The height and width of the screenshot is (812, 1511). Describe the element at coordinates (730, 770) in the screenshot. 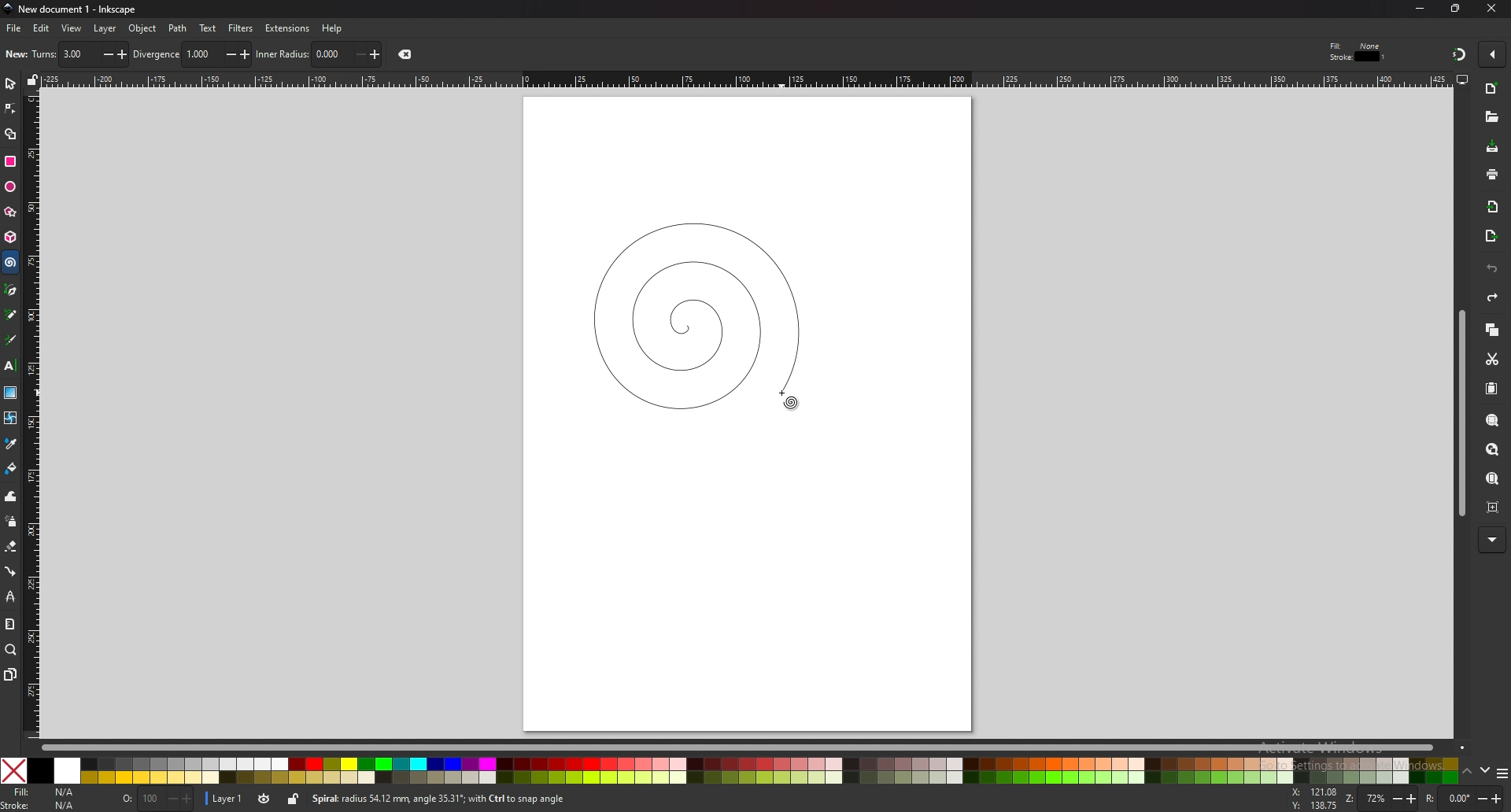

I see `colors` at that location.